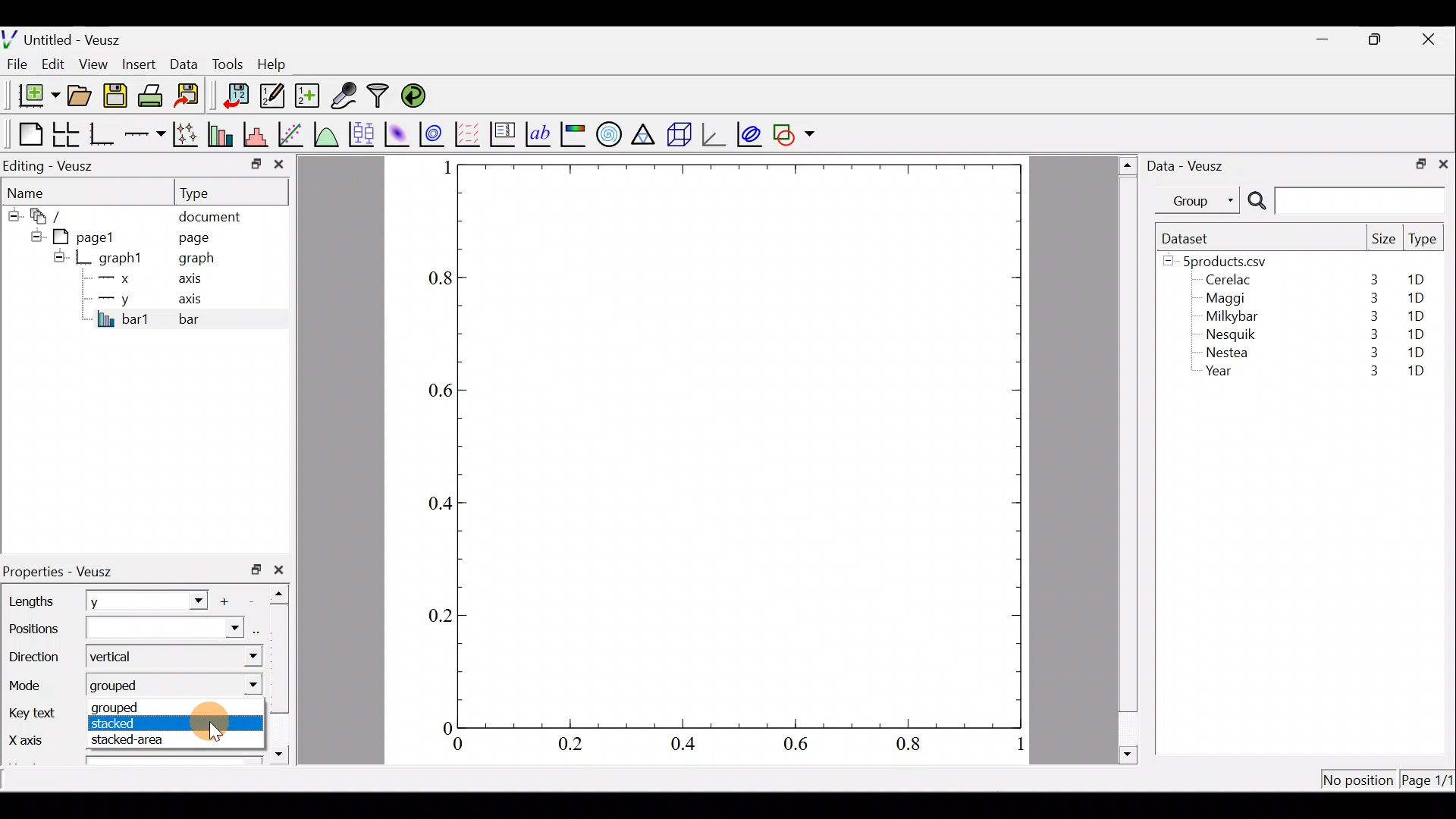  I want to click on 0.4, so click(689, 745).